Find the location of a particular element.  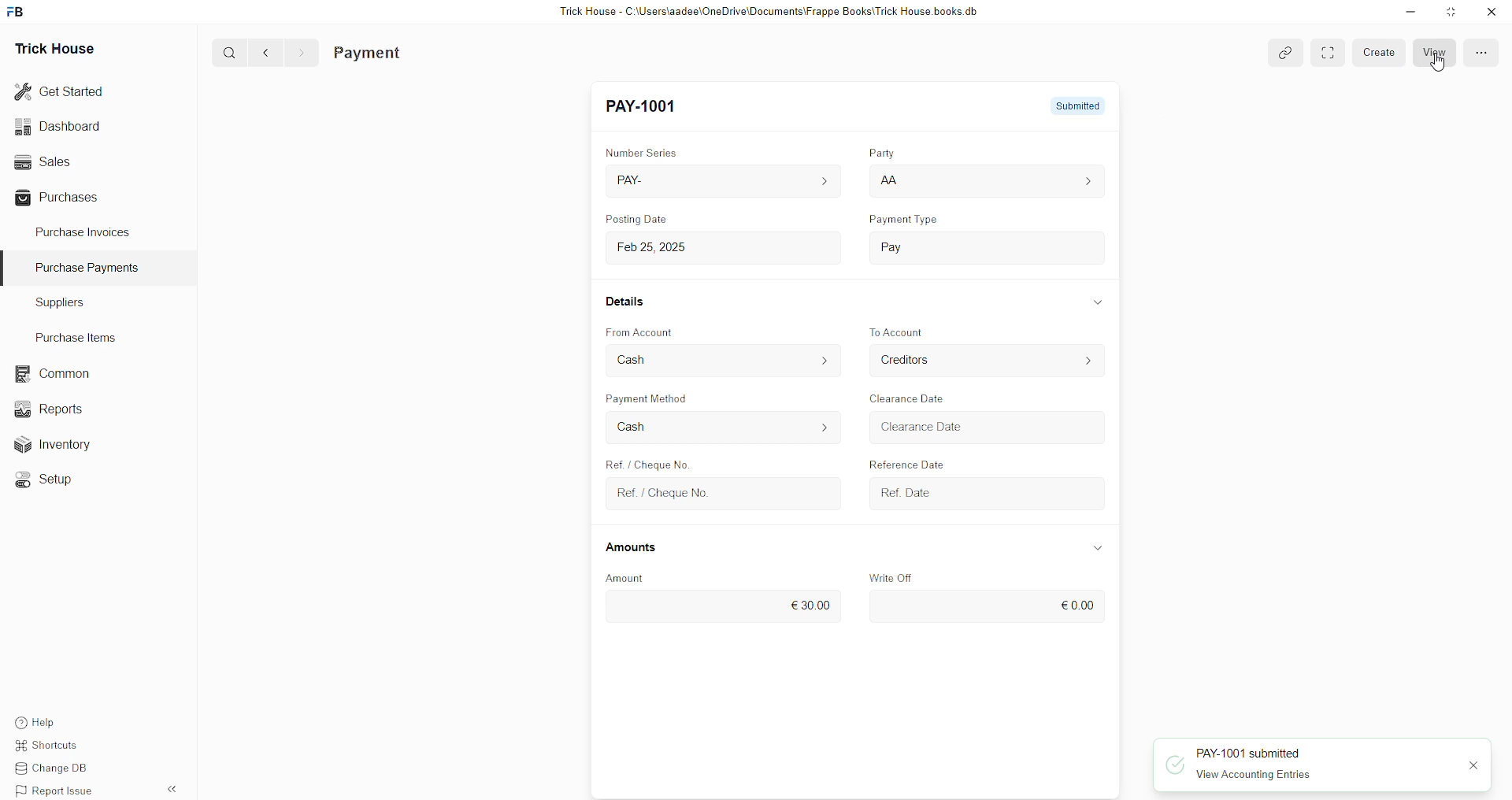

Amounts is located at coordinates (641, 548).